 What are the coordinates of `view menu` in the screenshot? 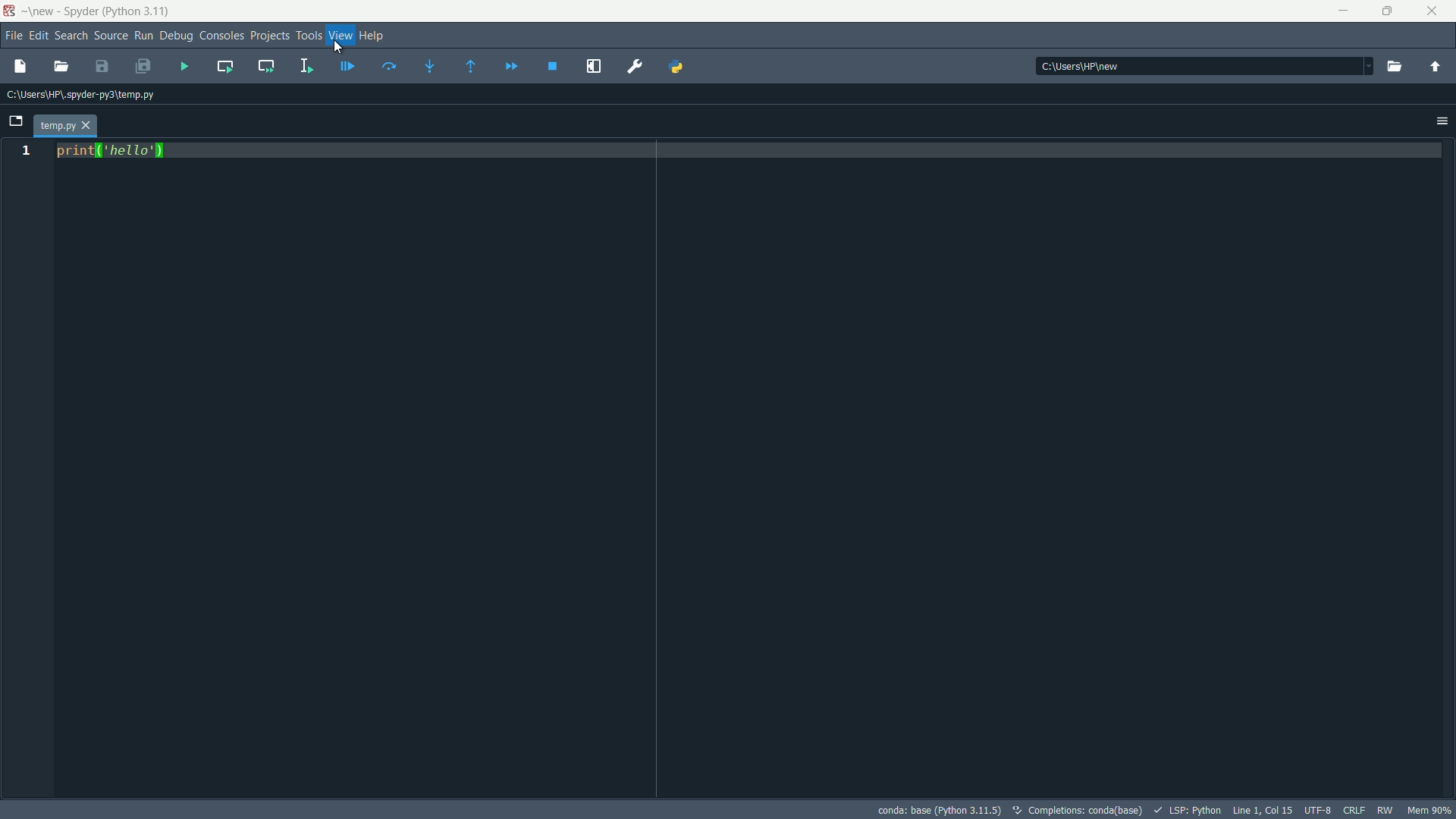 It's located at (340, 35).